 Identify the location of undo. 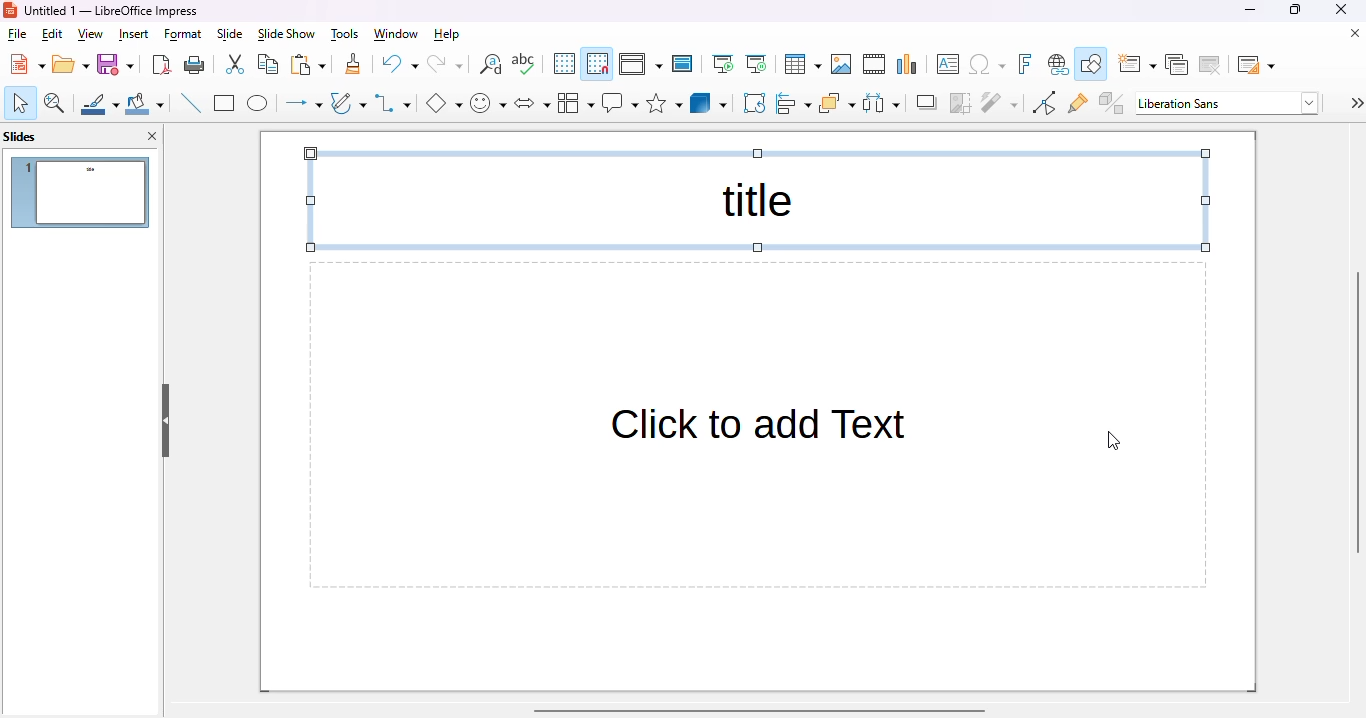
(400, 64).